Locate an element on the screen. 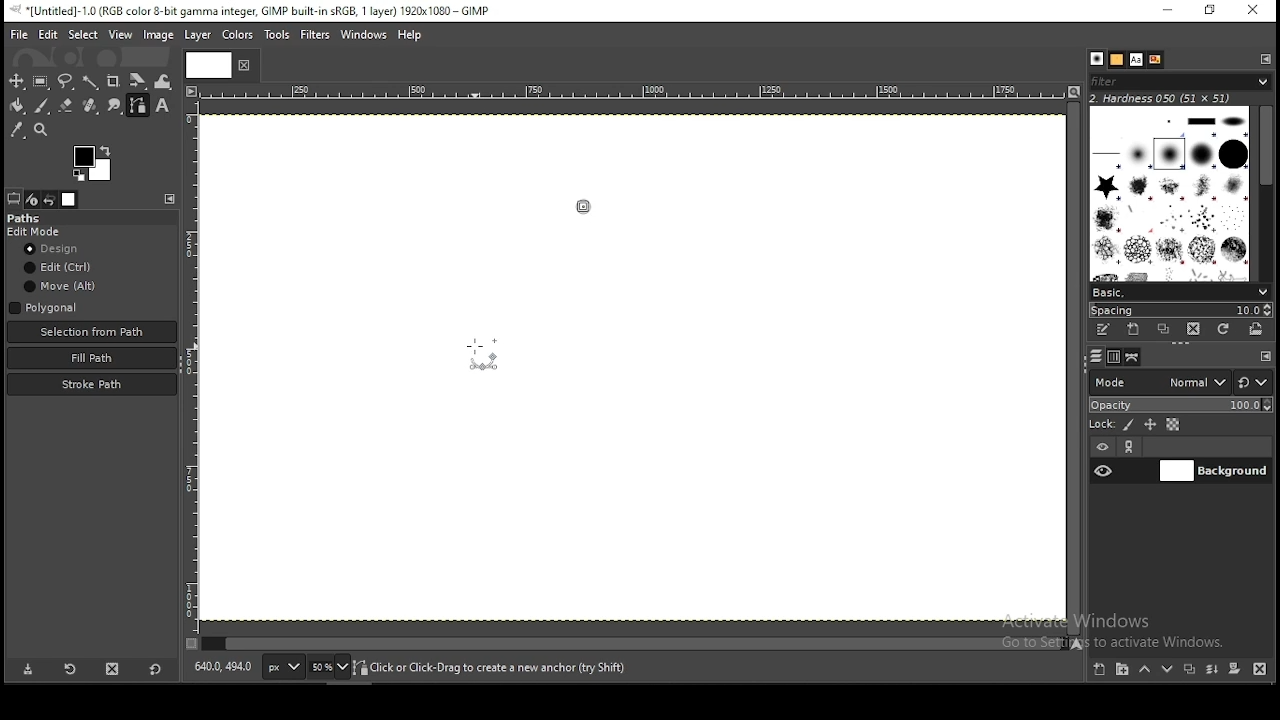  close is located at coordinates (244, 68).